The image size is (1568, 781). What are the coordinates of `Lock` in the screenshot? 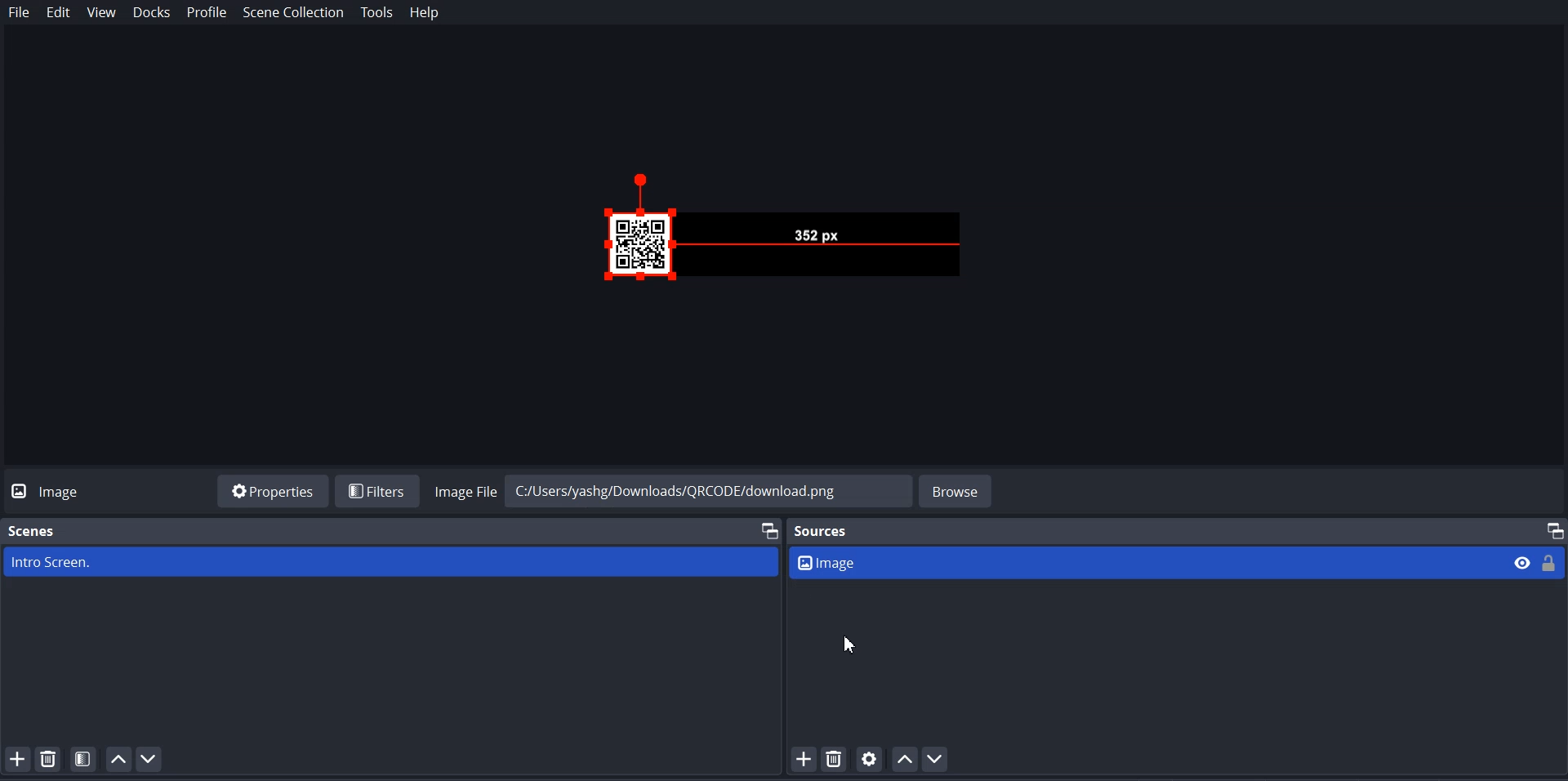 It's located at (1551, 561).